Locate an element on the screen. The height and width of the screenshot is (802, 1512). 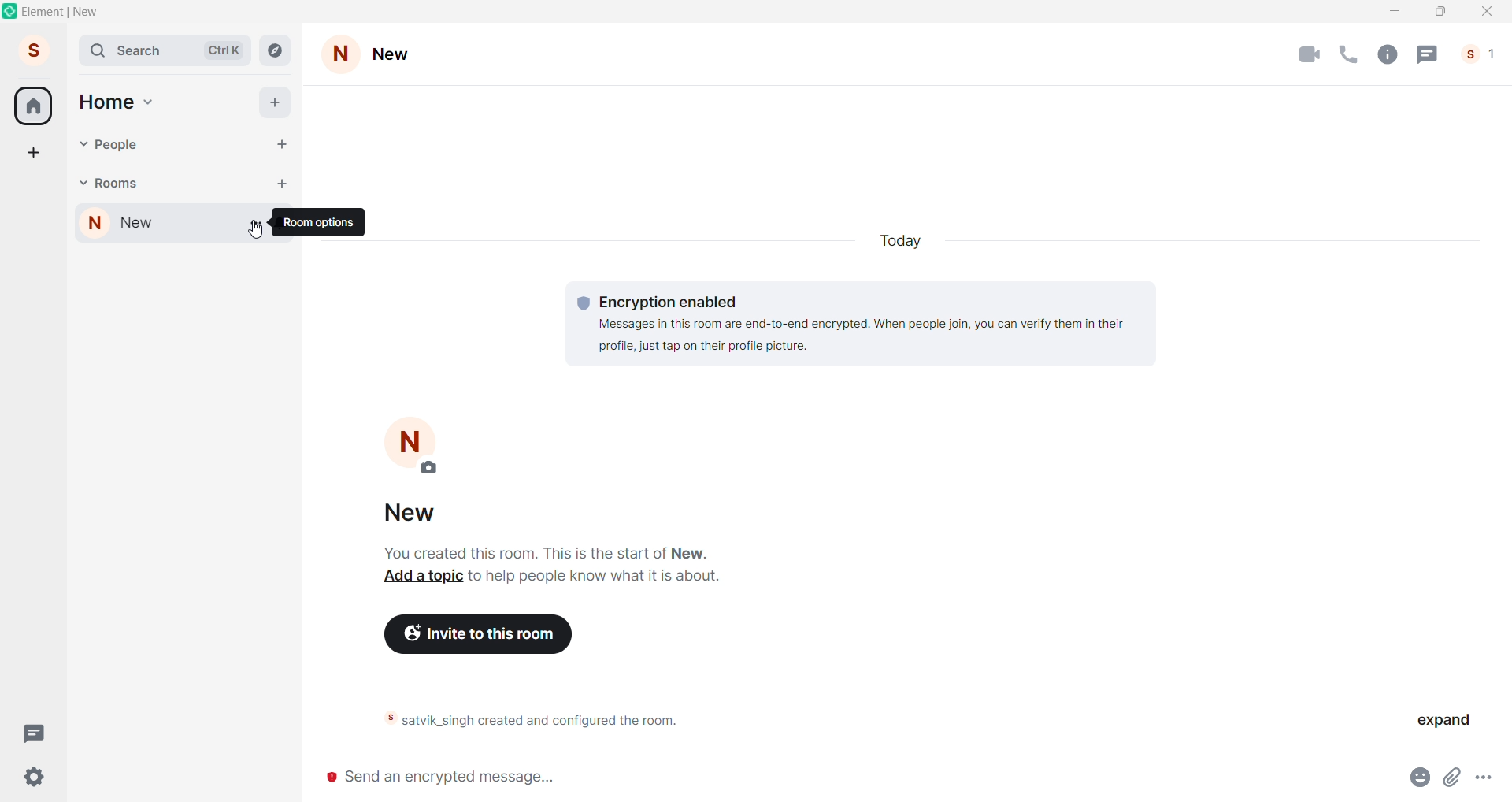
Cursor is located at coordinates (254, 236).